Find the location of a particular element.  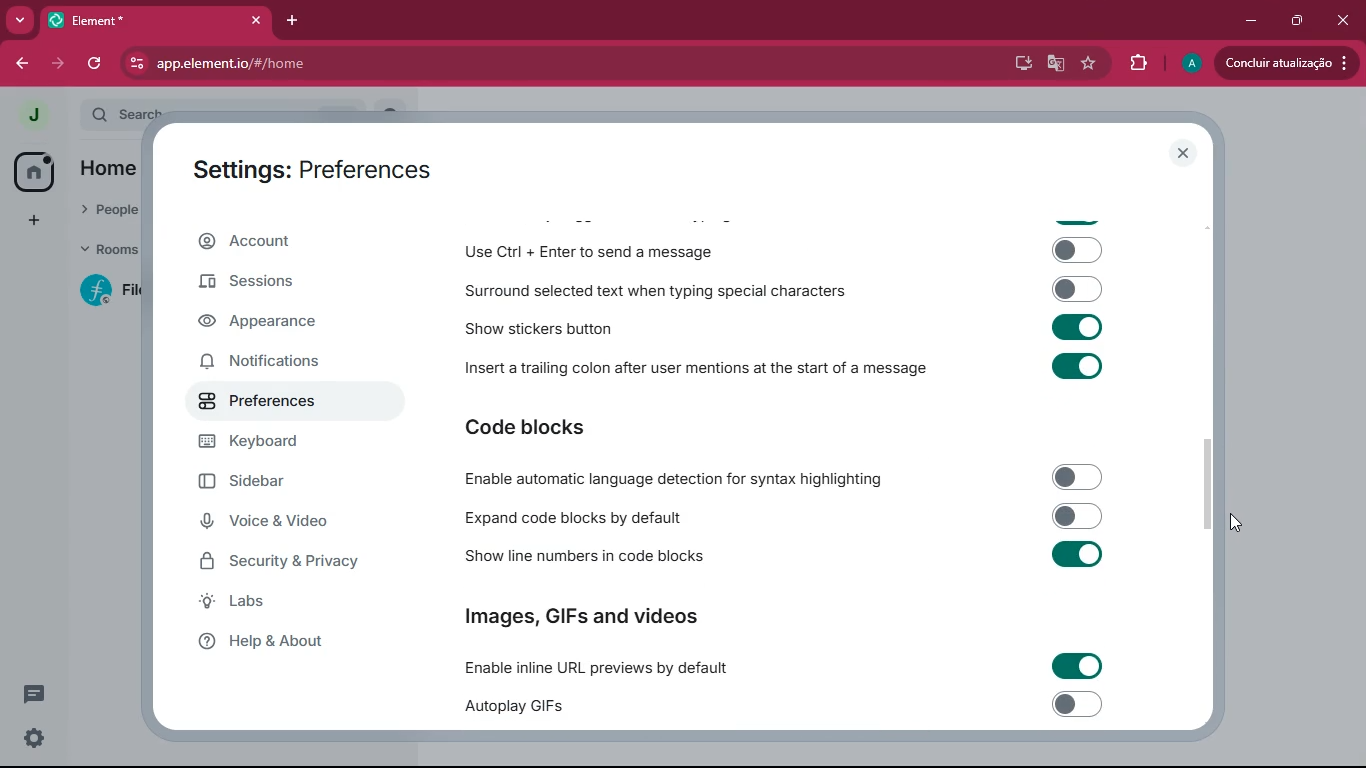

more is located at coordinates (34, 222).